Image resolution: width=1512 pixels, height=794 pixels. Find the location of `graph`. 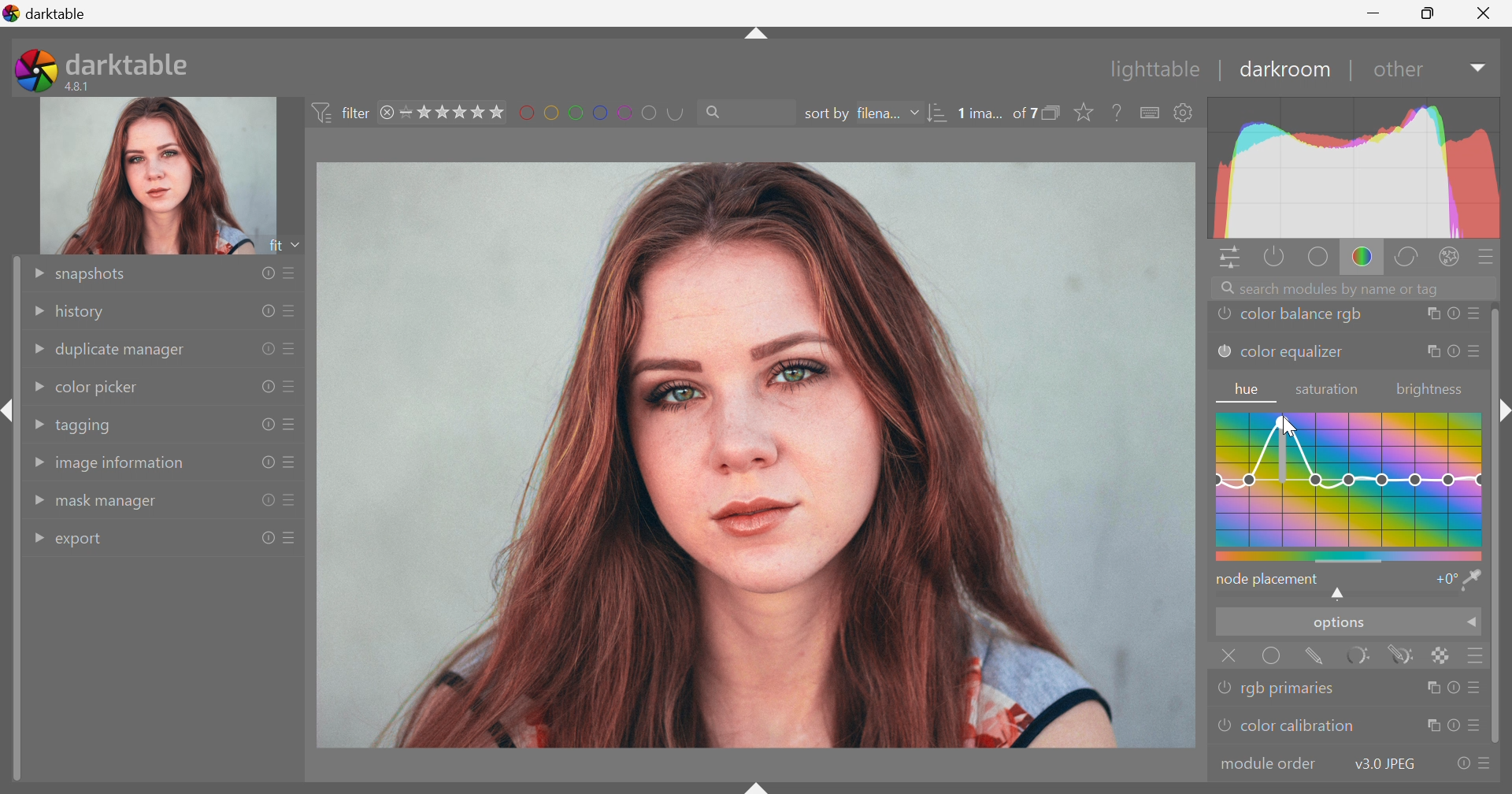

graph is located at coordinates (1354, 168).